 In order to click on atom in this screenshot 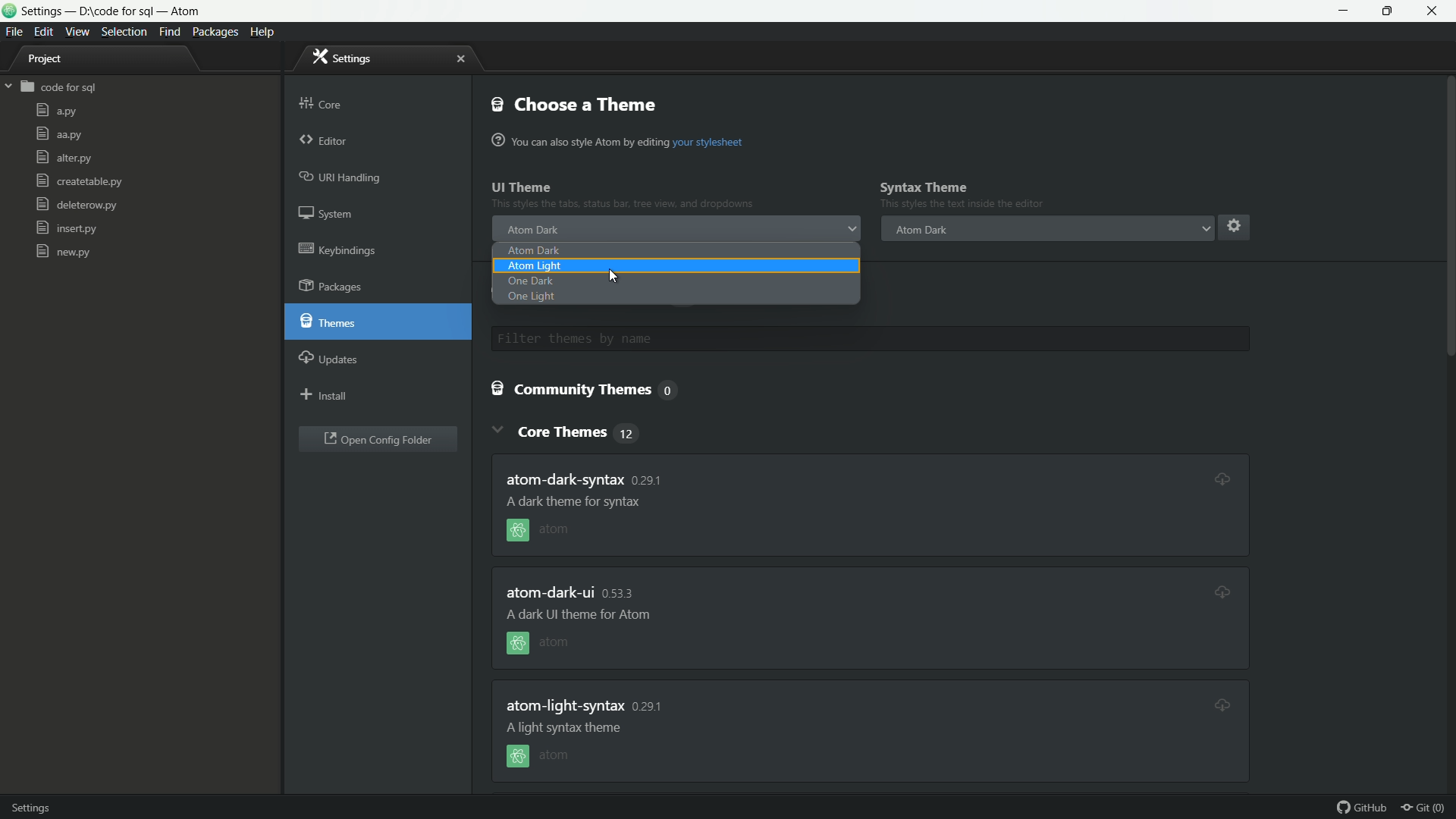, I will do `click(554, 531)`.